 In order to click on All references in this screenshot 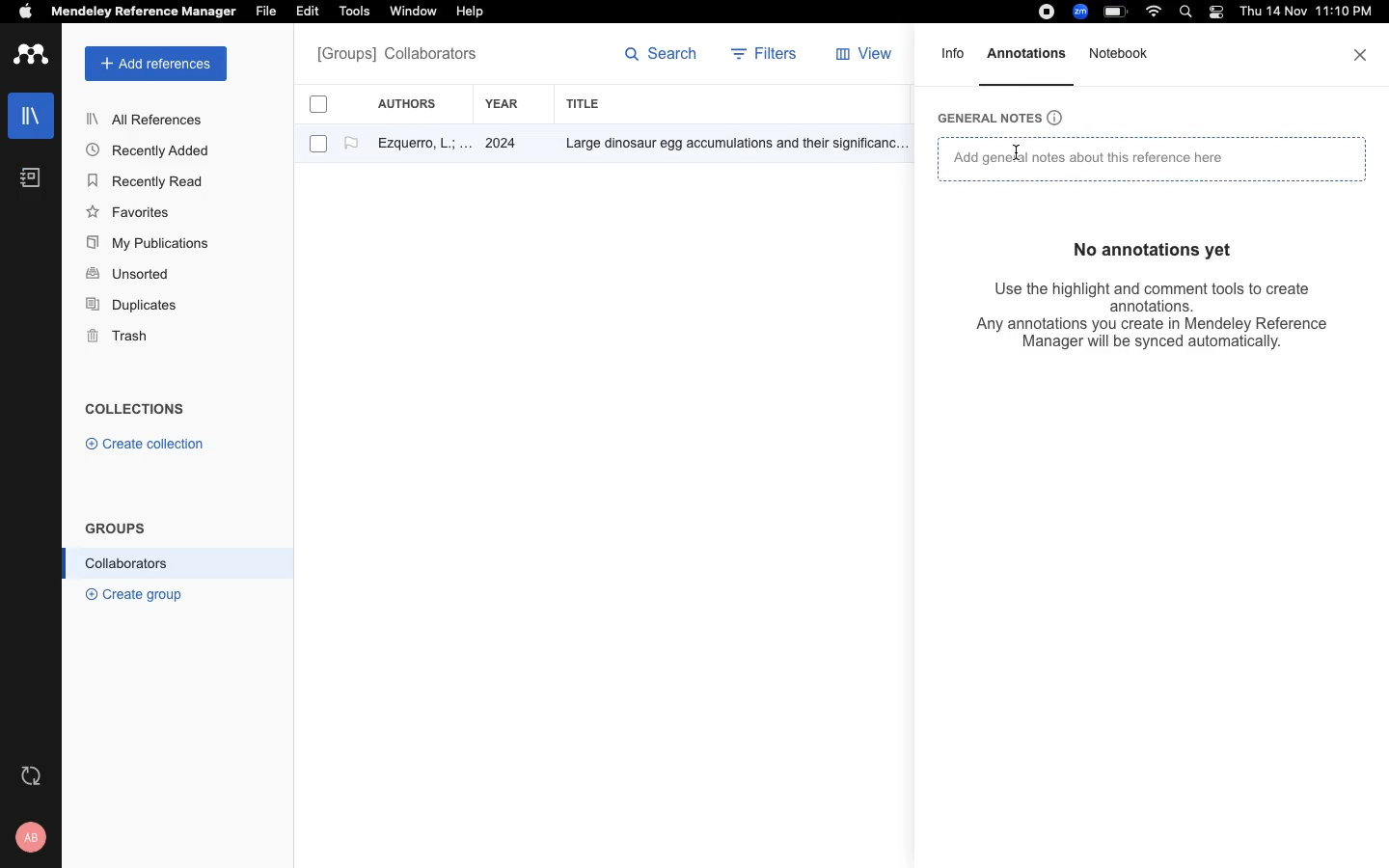, I will do `click(396, 56)`.